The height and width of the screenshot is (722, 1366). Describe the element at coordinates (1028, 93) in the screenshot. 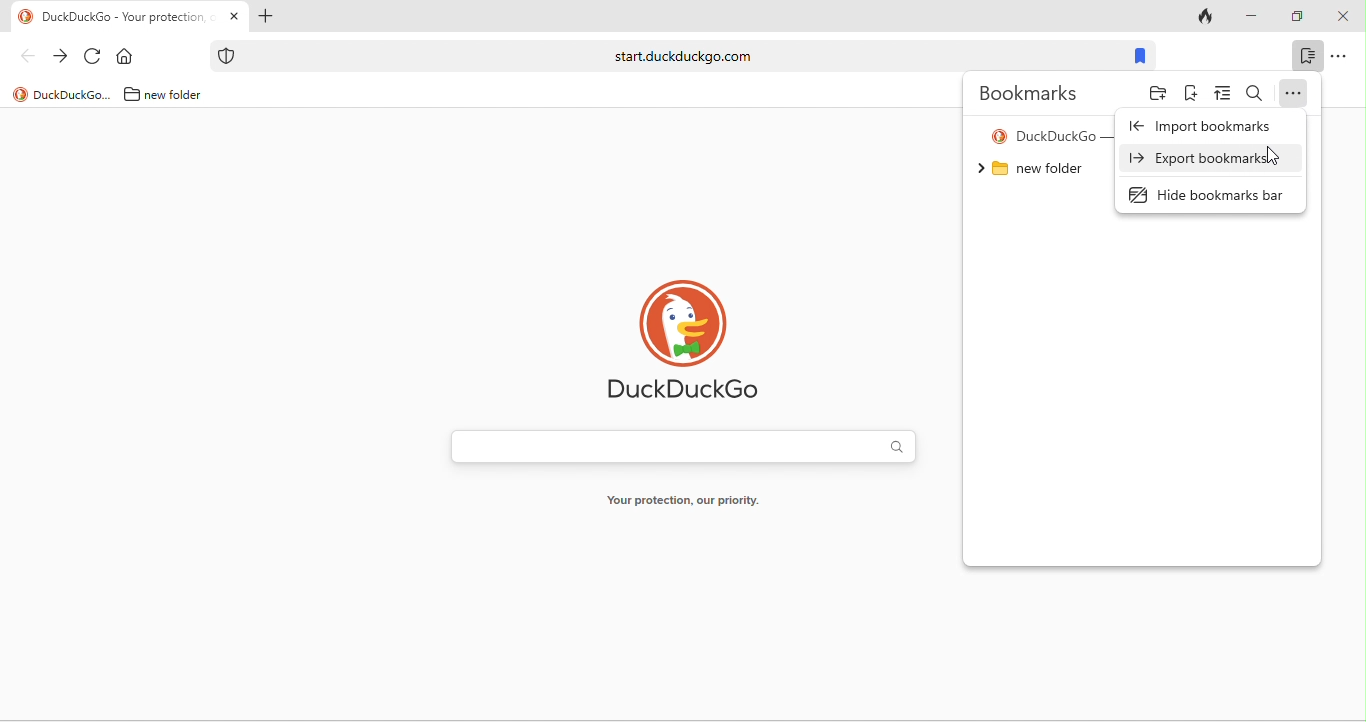

I see `bookmarks` at that location.